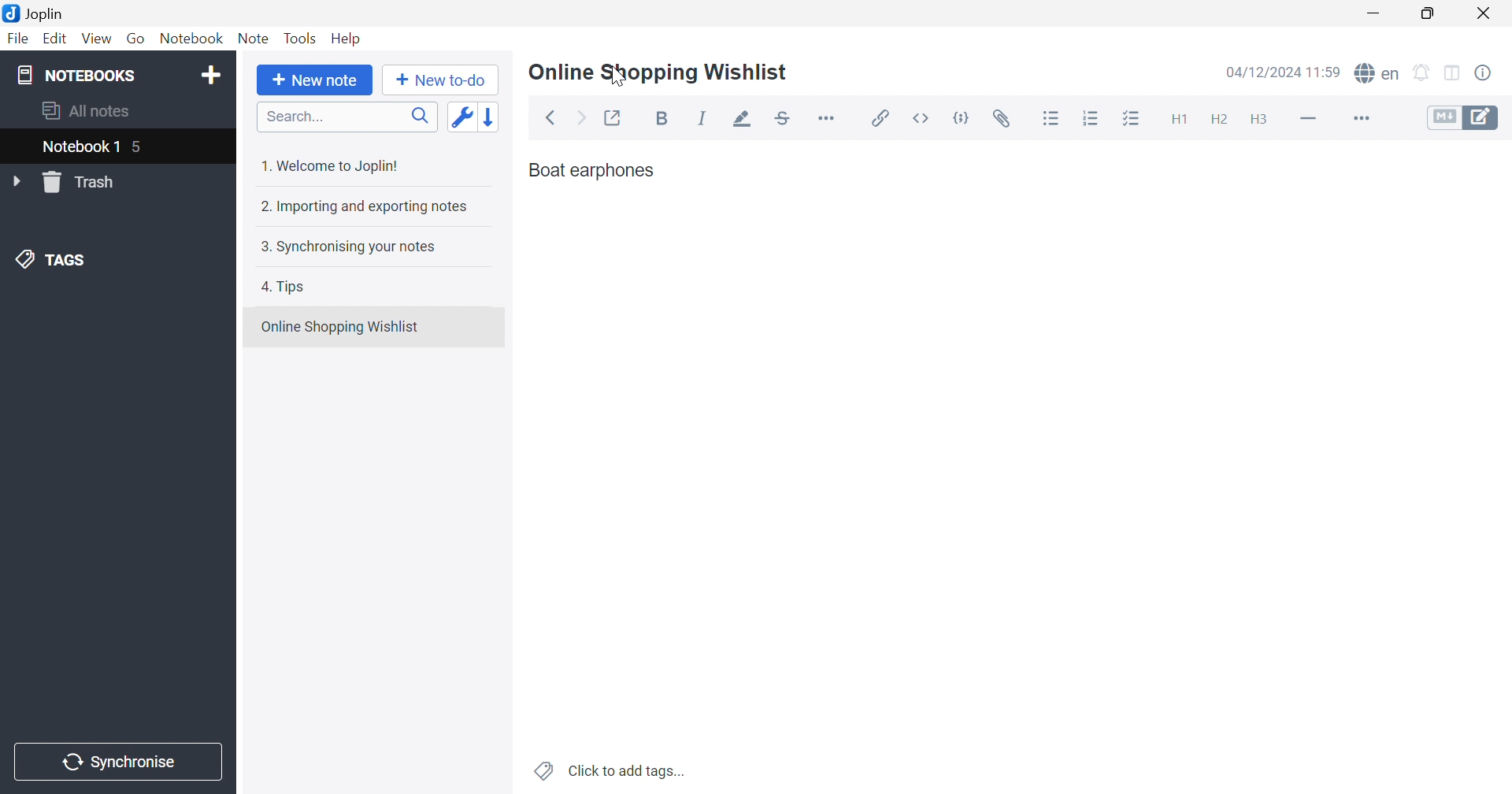 The width and height of the screenshot is (1512, 794). I want to click on Online Shopping Wishlist, so click(341, 327).